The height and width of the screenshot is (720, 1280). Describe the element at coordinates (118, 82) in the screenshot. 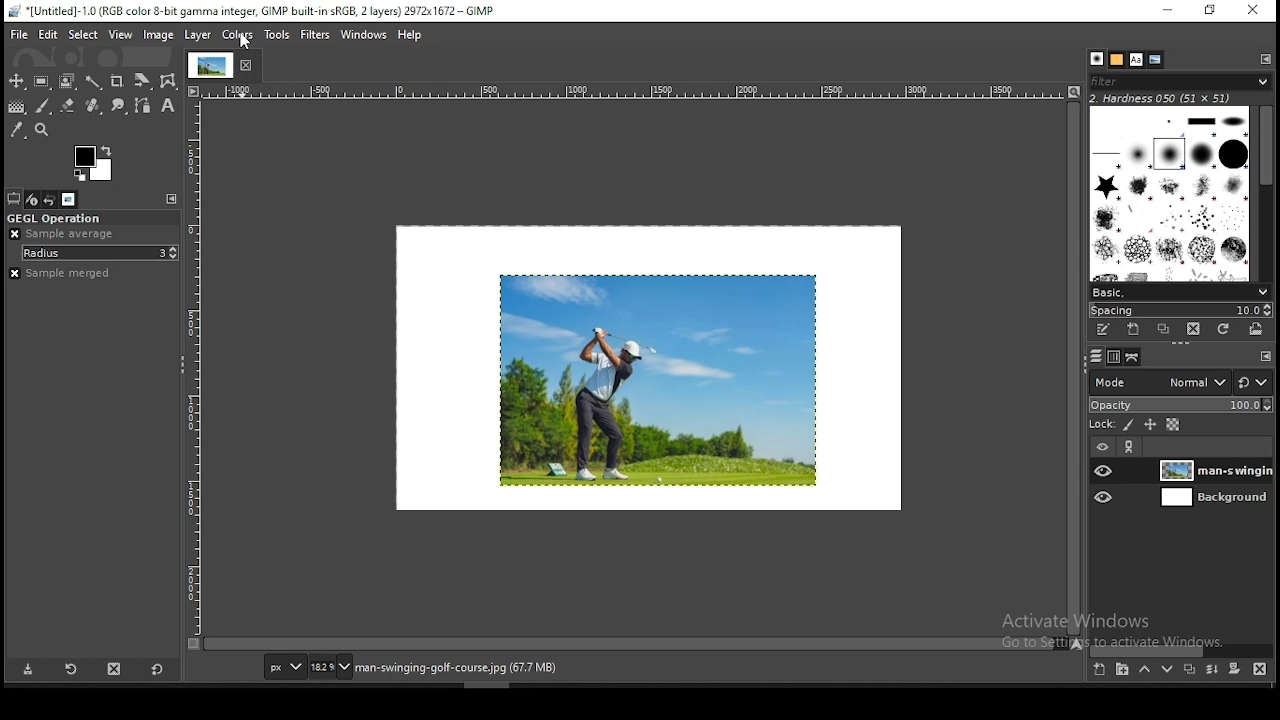

I see `crop tool` at that location.